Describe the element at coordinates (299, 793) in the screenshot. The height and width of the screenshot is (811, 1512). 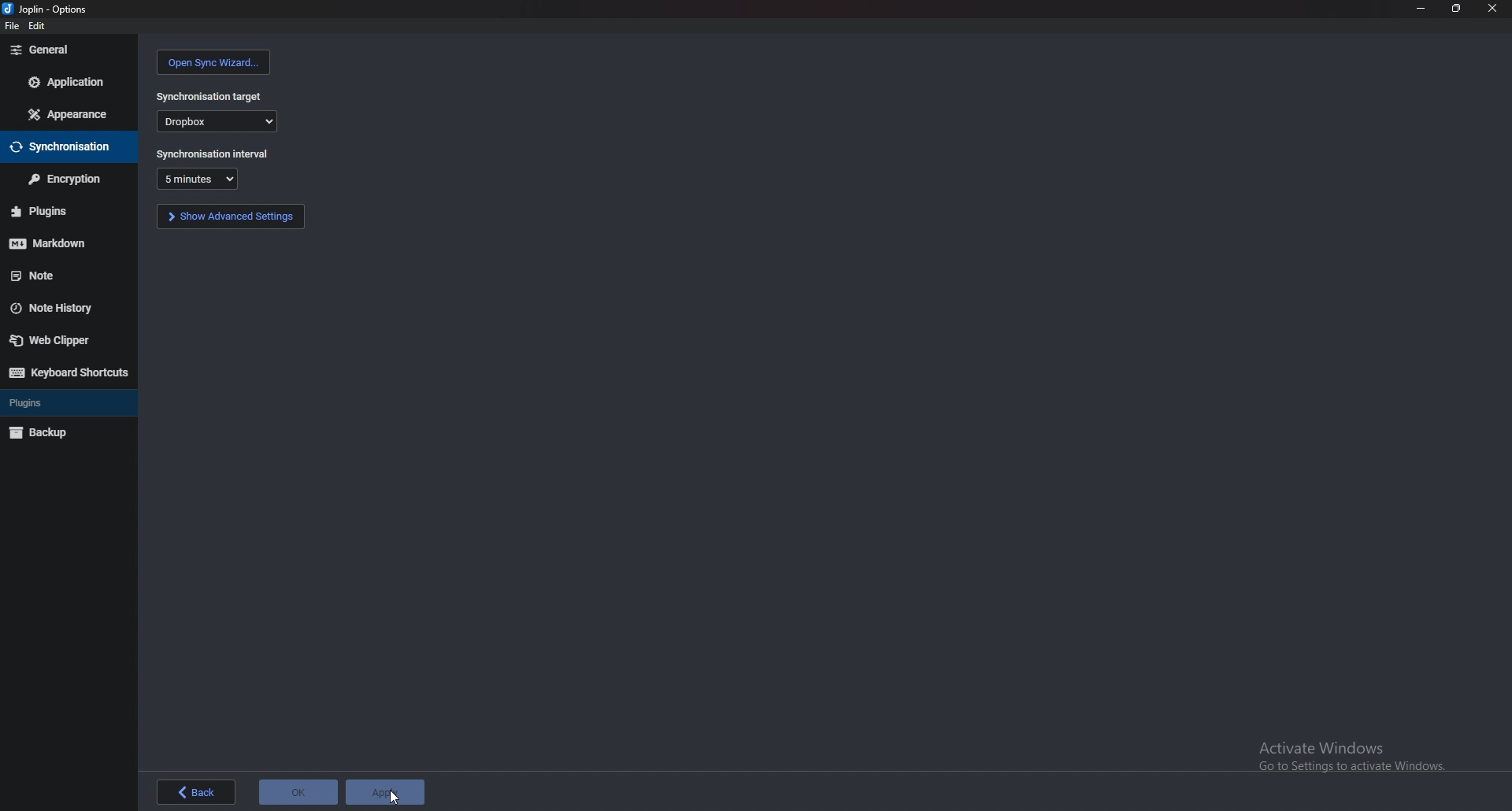
I see `ok` at that location.